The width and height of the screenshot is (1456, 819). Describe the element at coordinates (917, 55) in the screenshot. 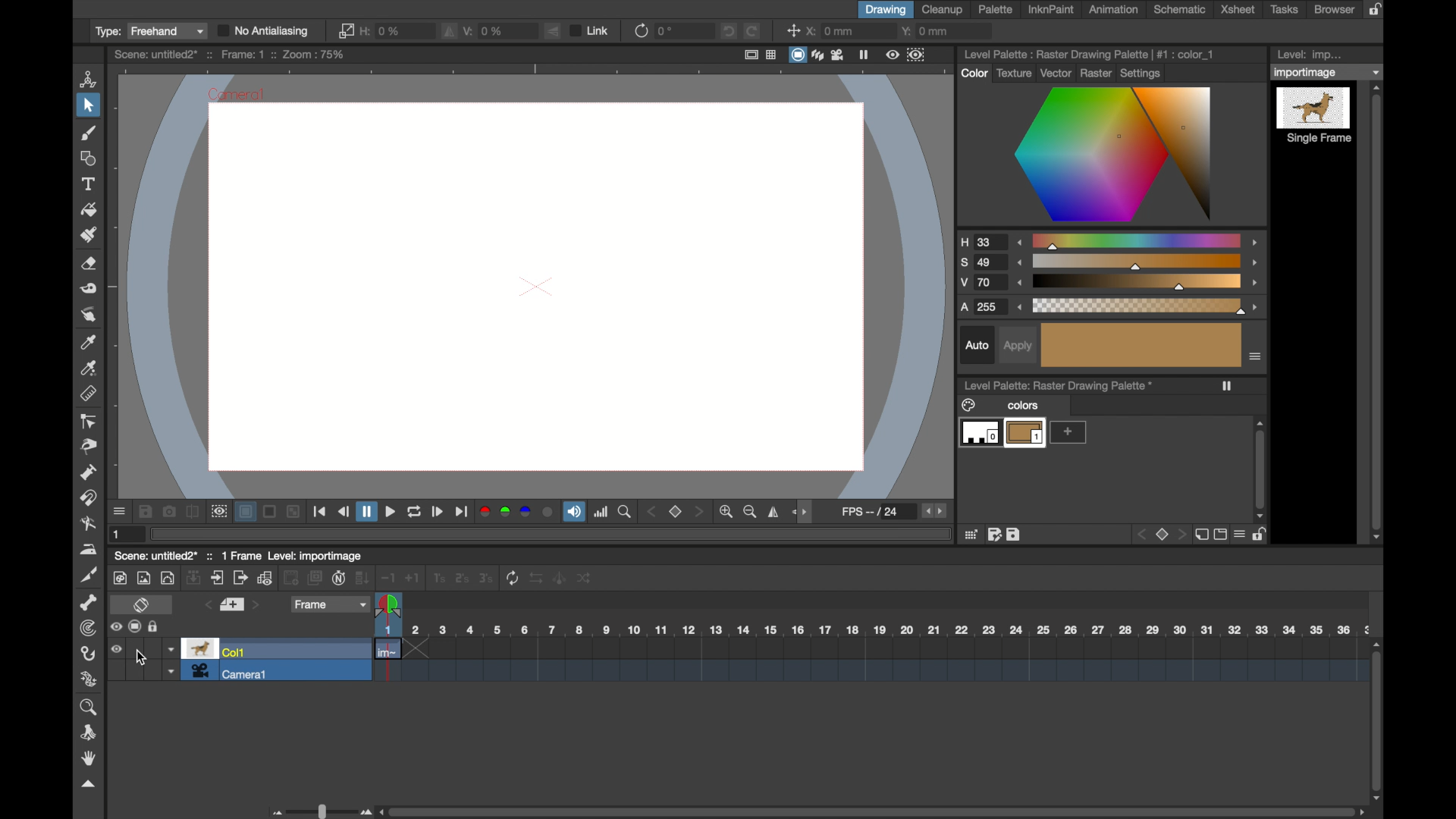

I see `frame` at that location.